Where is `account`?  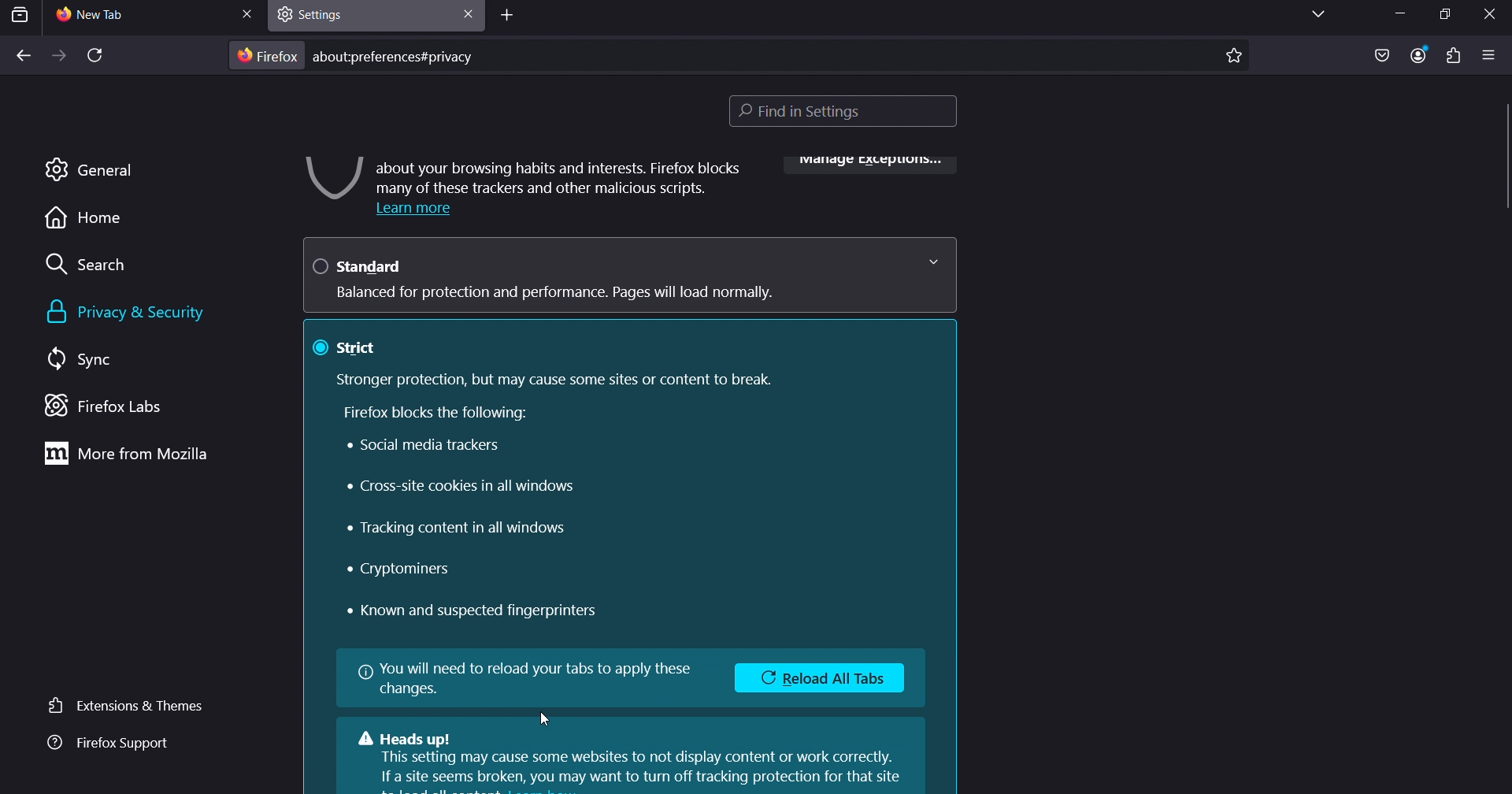
account is located at coordinates (1418, 54).